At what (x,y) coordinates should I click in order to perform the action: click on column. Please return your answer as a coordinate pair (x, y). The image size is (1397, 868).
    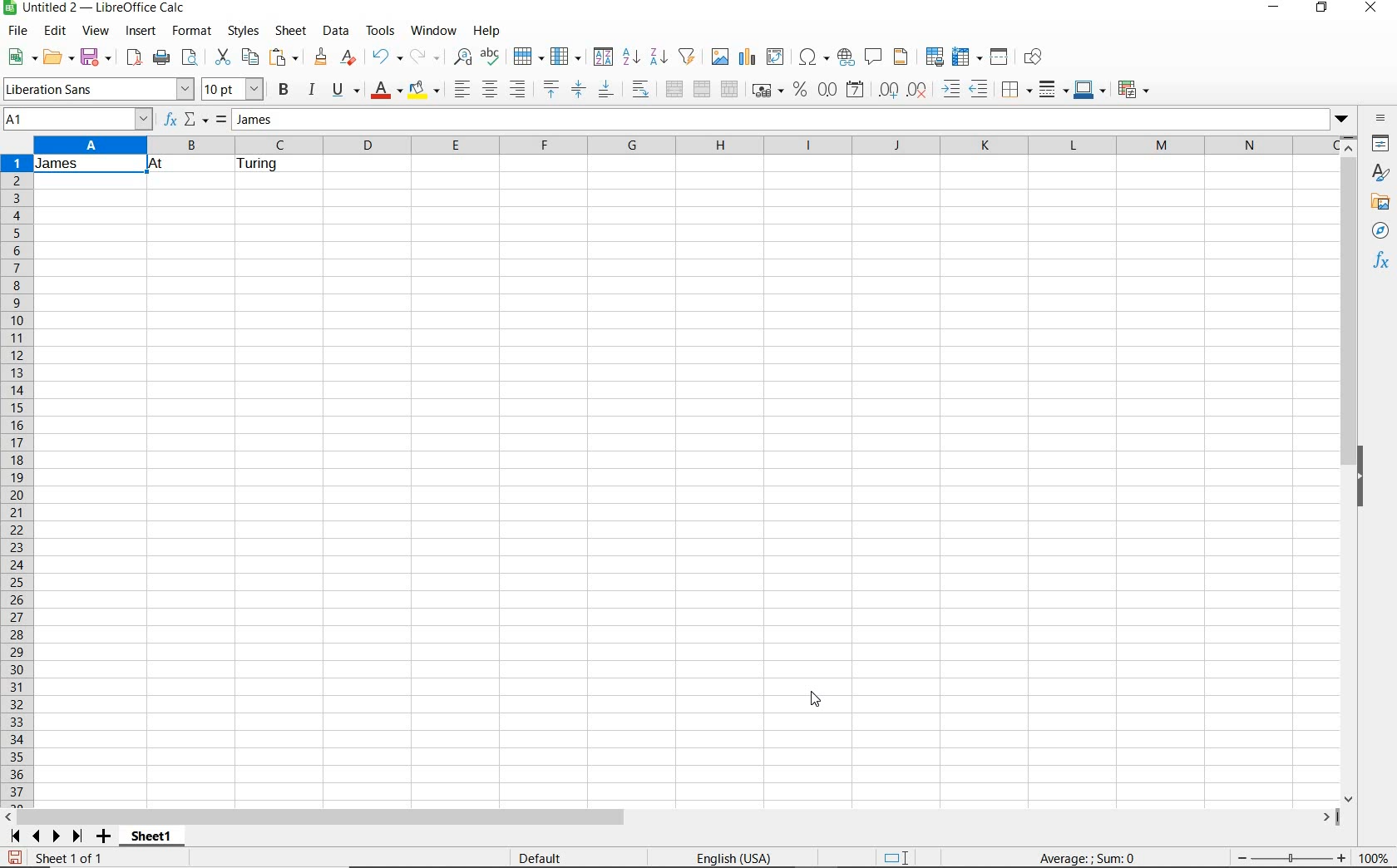
    Looking at the image, I should click on (566, 56).